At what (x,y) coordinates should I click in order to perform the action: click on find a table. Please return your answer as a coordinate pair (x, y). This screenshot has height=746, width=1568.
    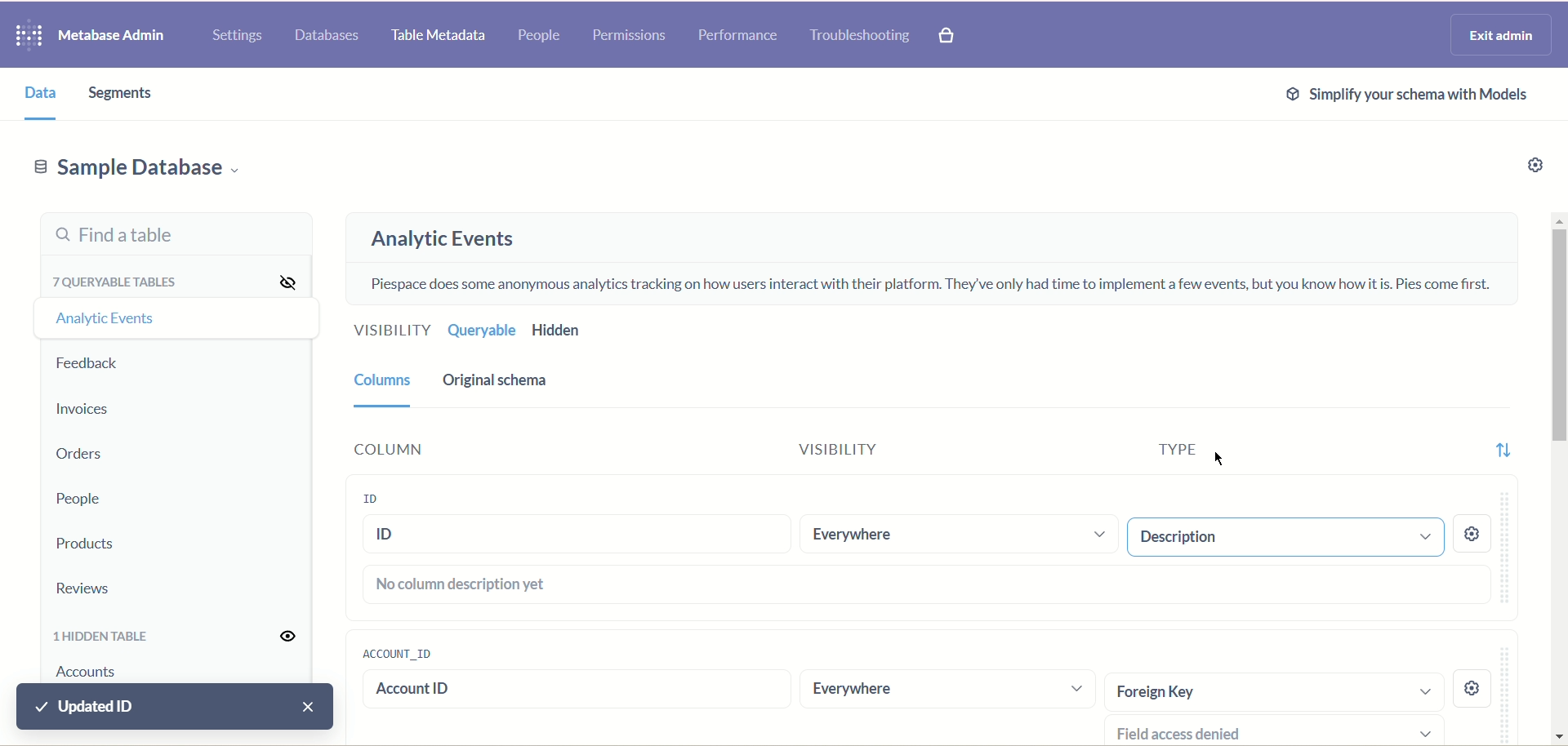
    Looking at the image, I should click on (176, 233).